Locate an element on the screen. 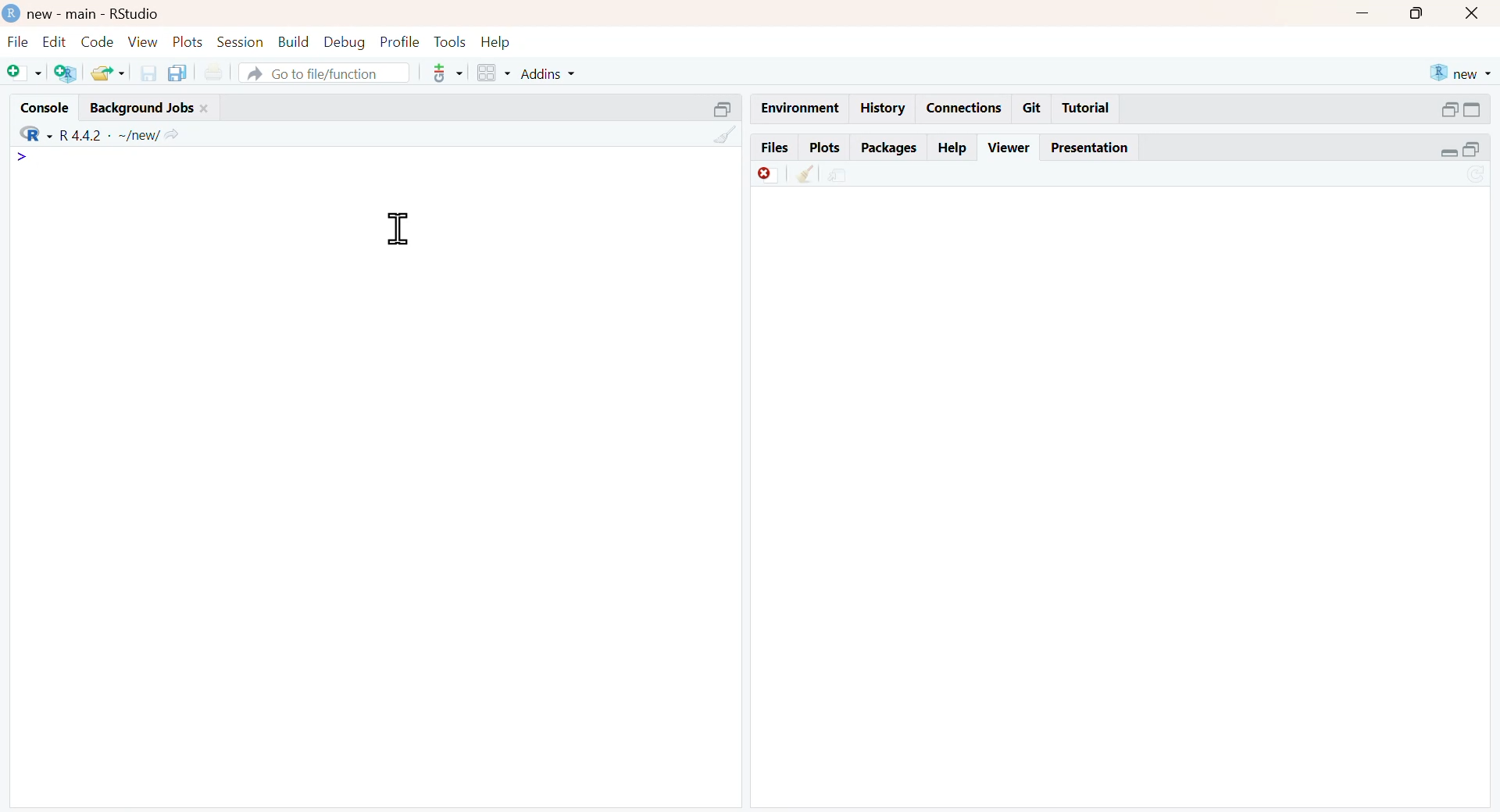 The image size is (1500, 812). Save all open documents is located at coordinates (177, 73).